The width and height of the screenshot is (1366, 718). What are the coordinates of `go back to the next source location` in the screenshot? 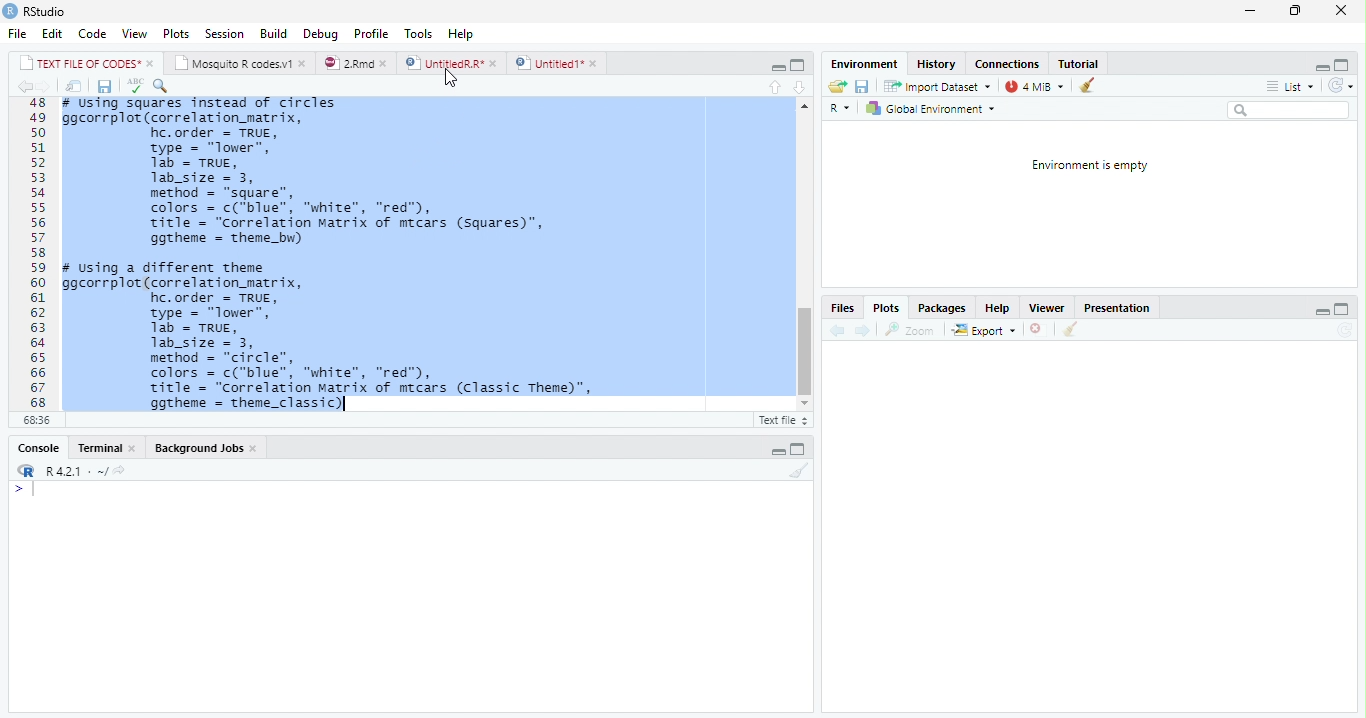 It's located at (50, 87).